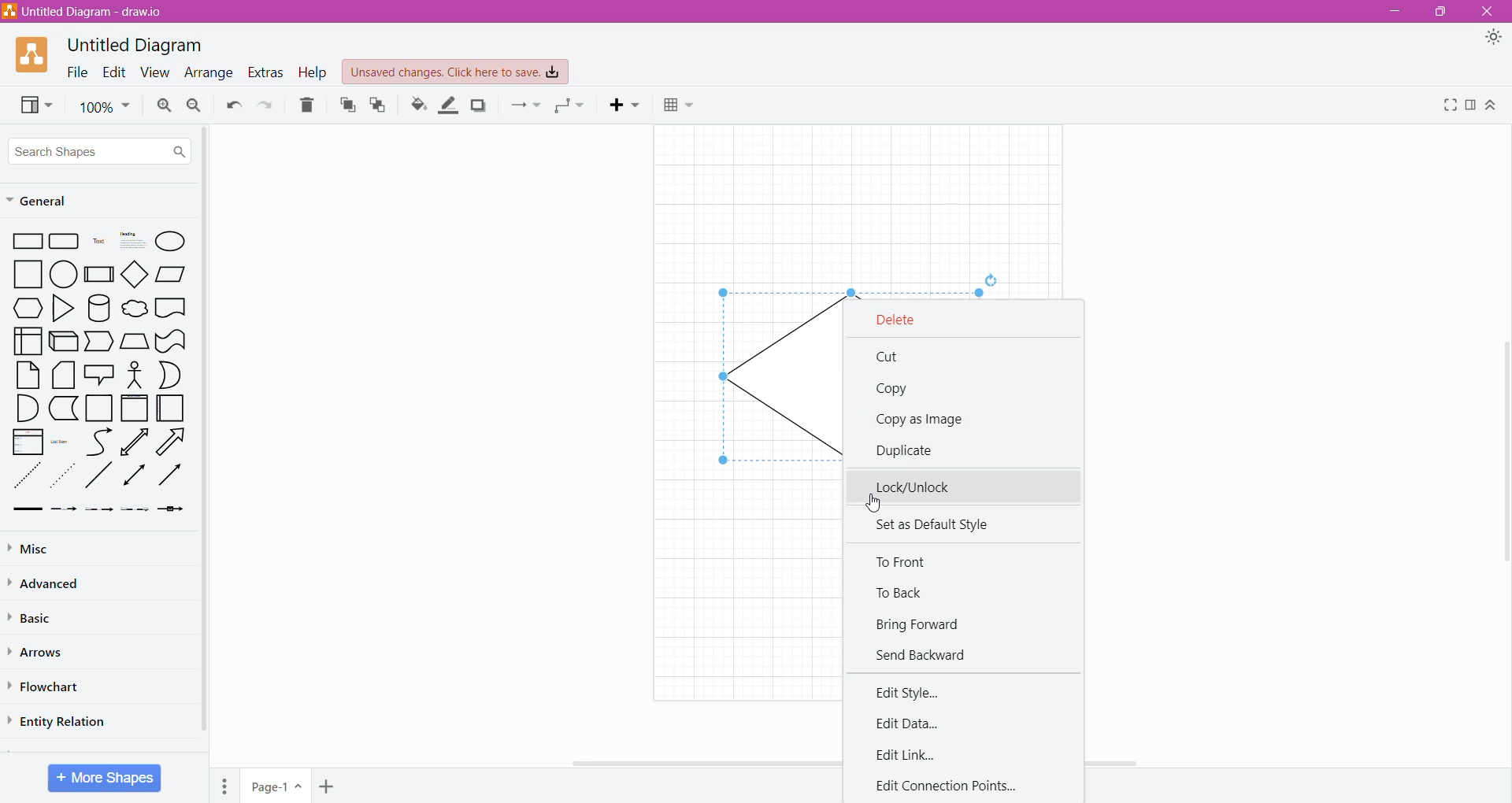 The image size is (1512, 803). Describe the element at coordinates (307, 105) in the screenshot. I see `Delete` at that location.